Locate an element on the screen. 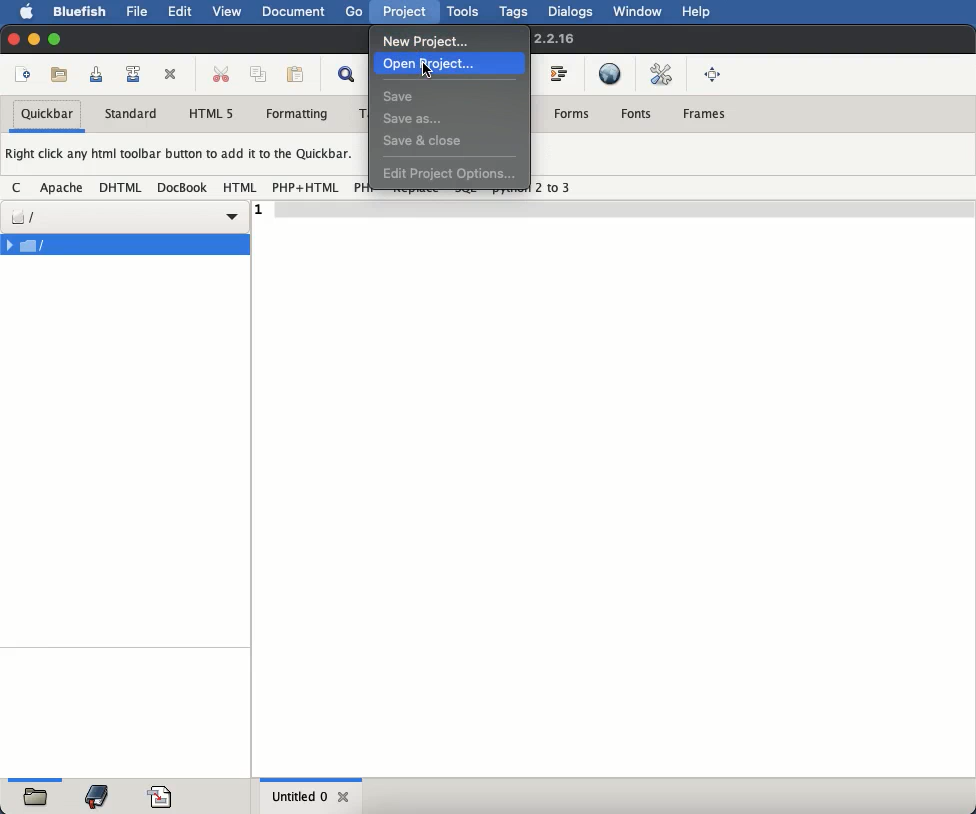 The image size is (976, 814). open project is located at coordinates (434, 65).